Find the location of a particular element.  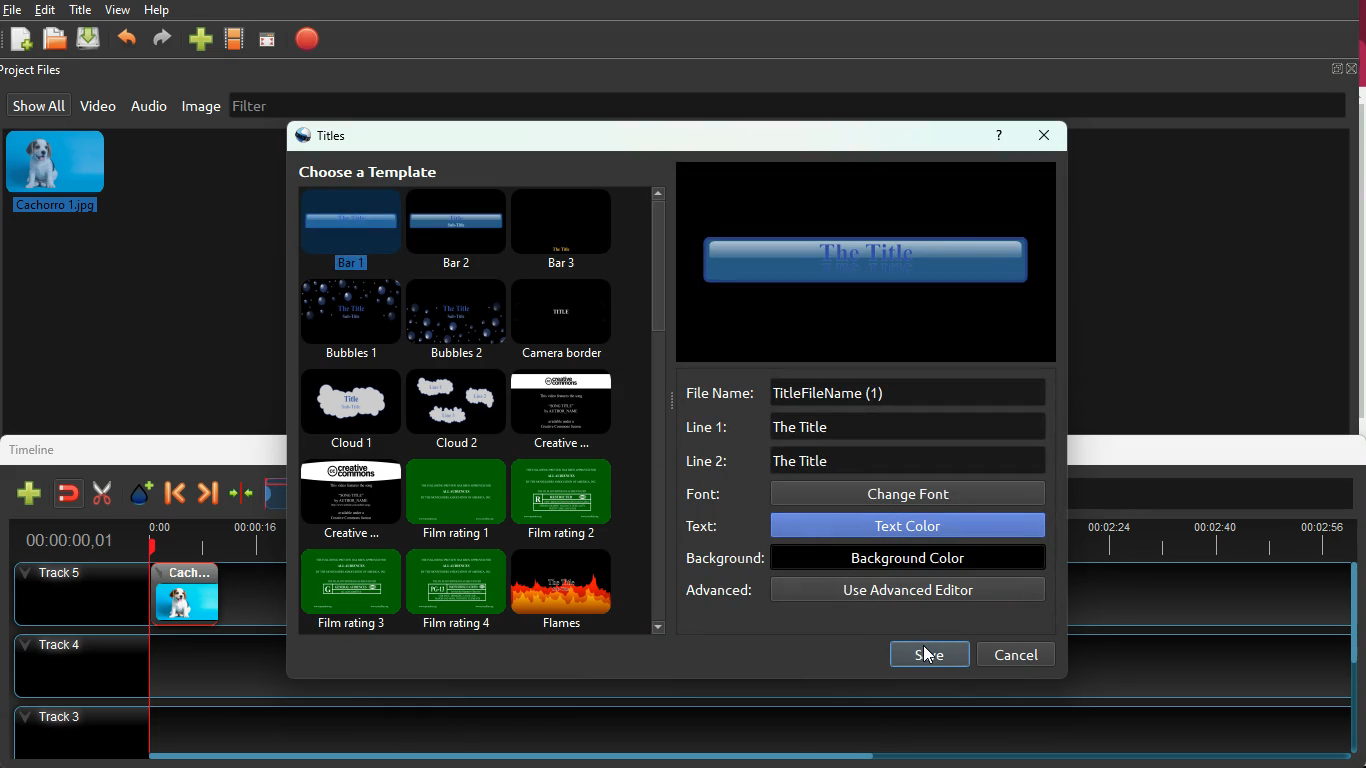

line 2 is located at coordinates (864, 459).